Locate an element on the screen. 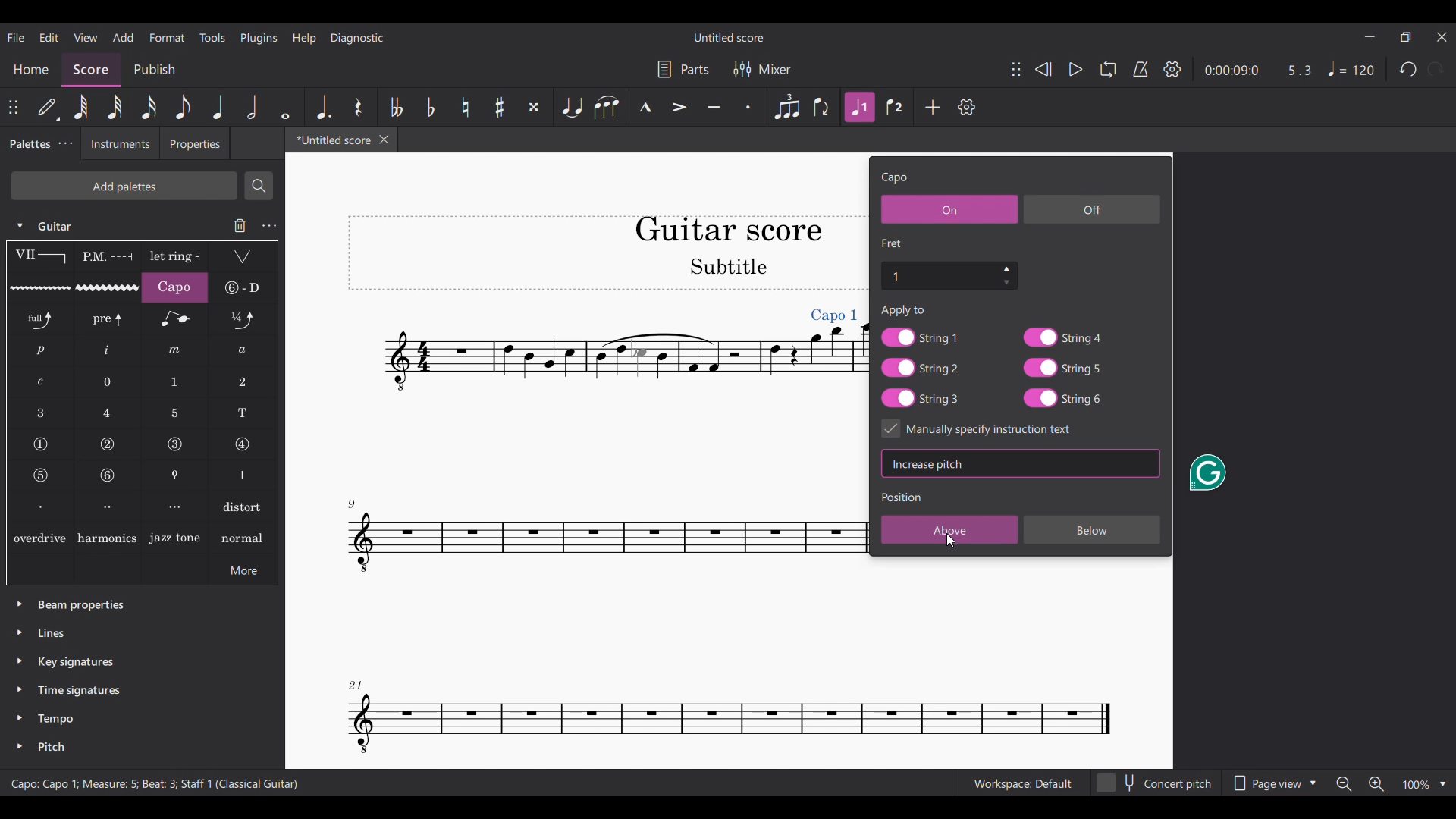 The width and height of the screenshot is (1456, 819). Text box is located at coordinates (1065, 463).